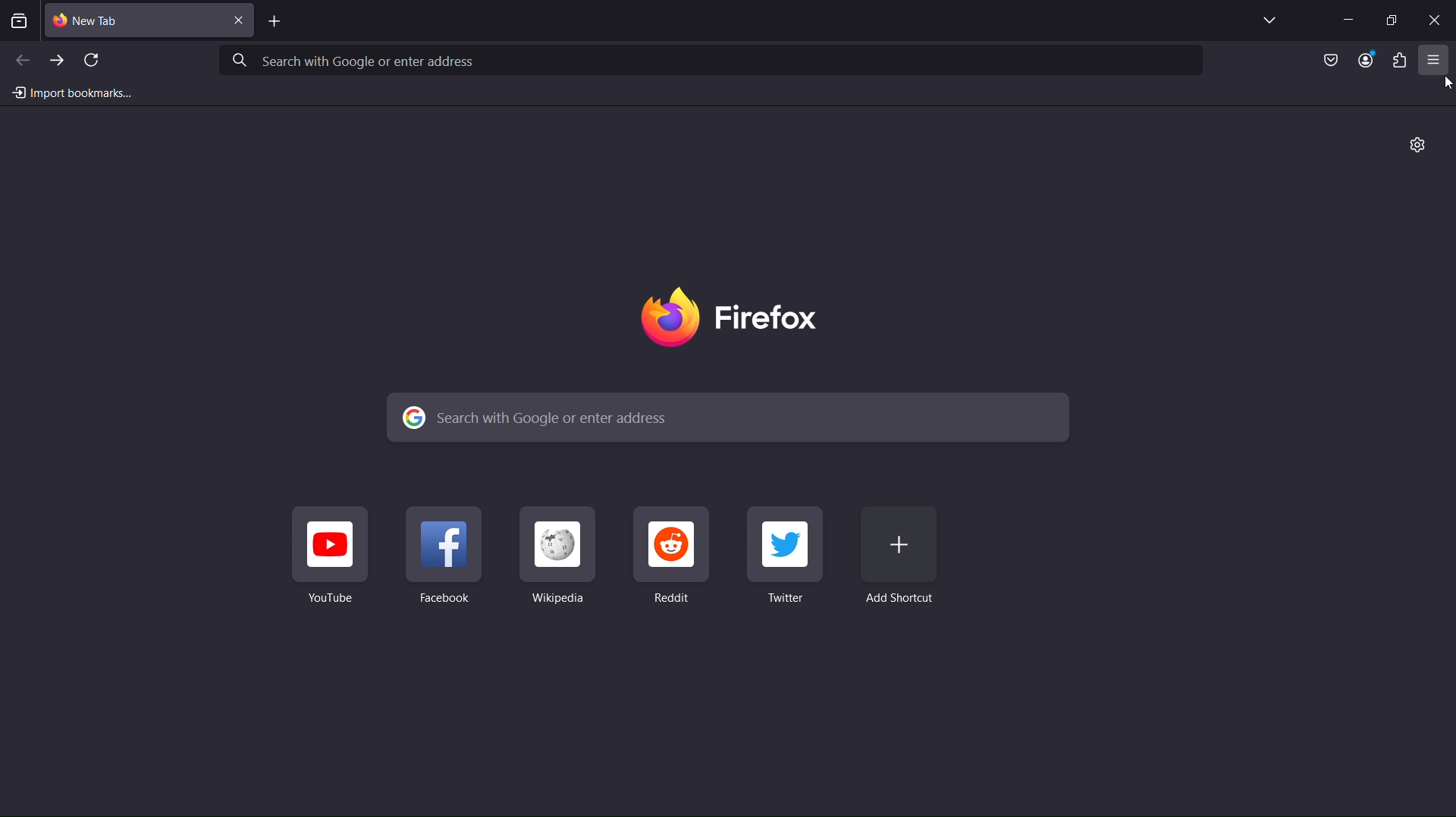  Describe the element at coordinates (717, 63) in the screenshot. I see `Search with Google or enter address` at that location.